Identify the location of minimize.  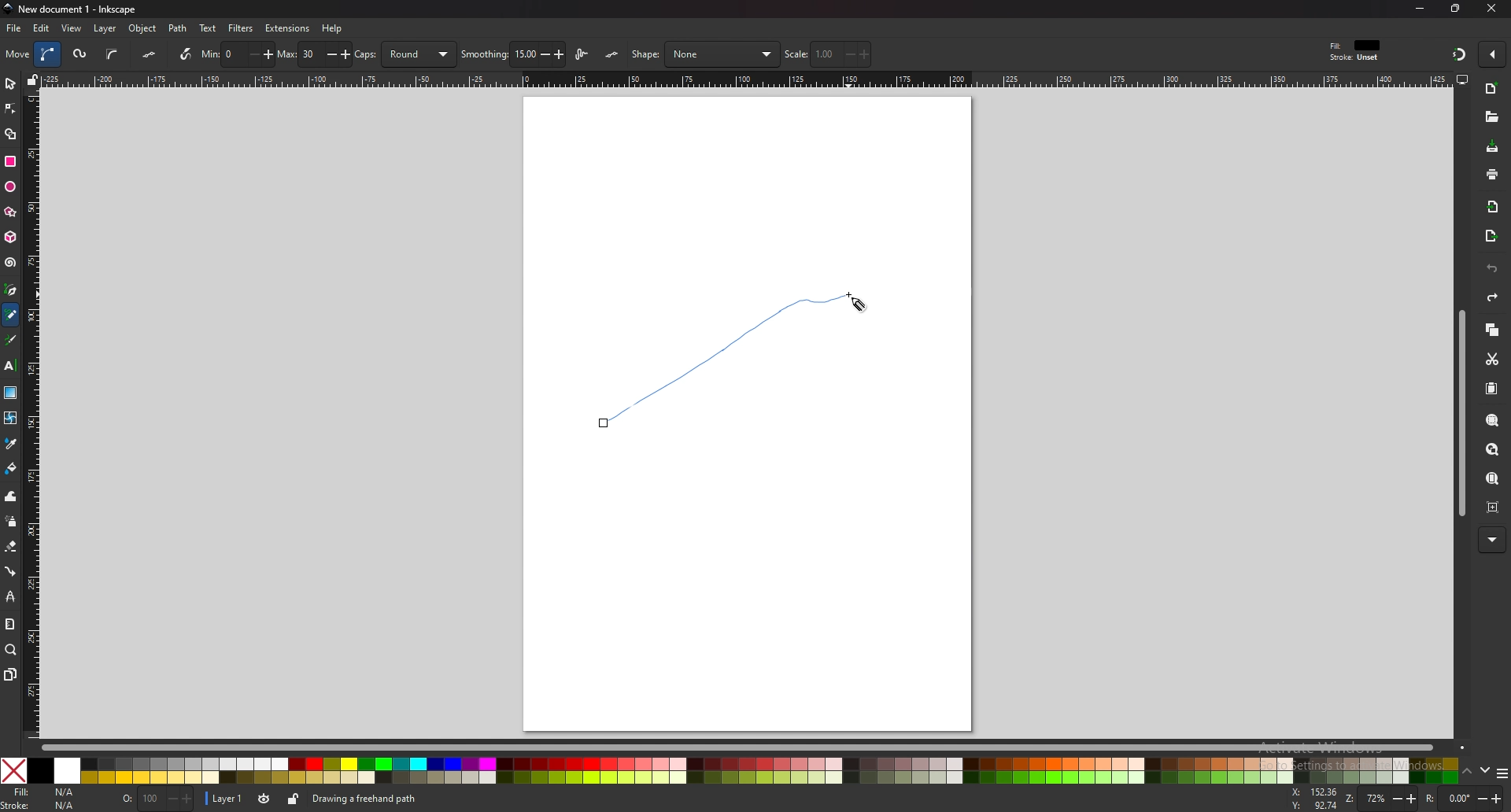
(1419, 9).